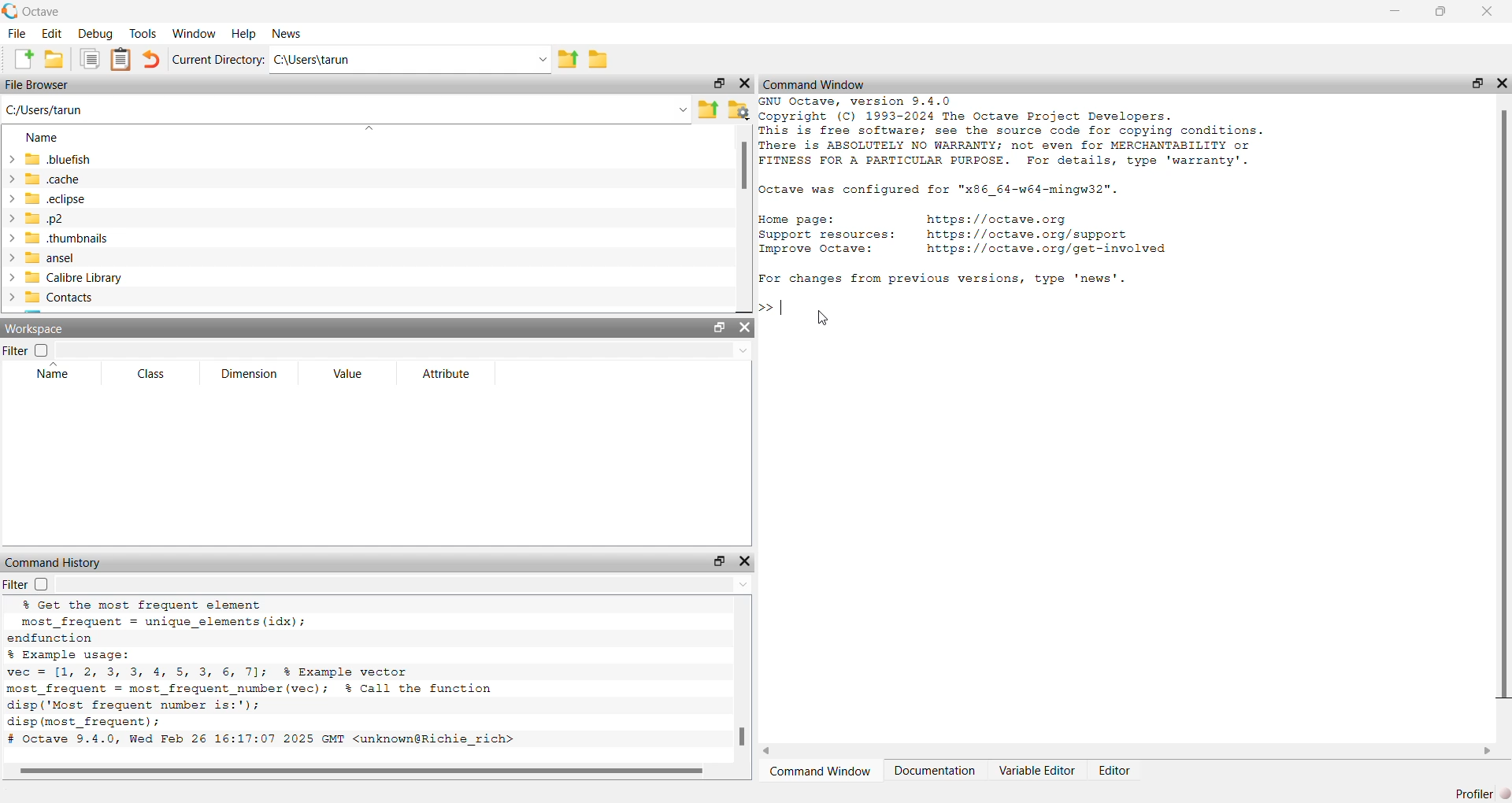  What do you see at coordinates (1441, 11) in the screenshot?
I see `restore` at bounding box center [1441, 11].